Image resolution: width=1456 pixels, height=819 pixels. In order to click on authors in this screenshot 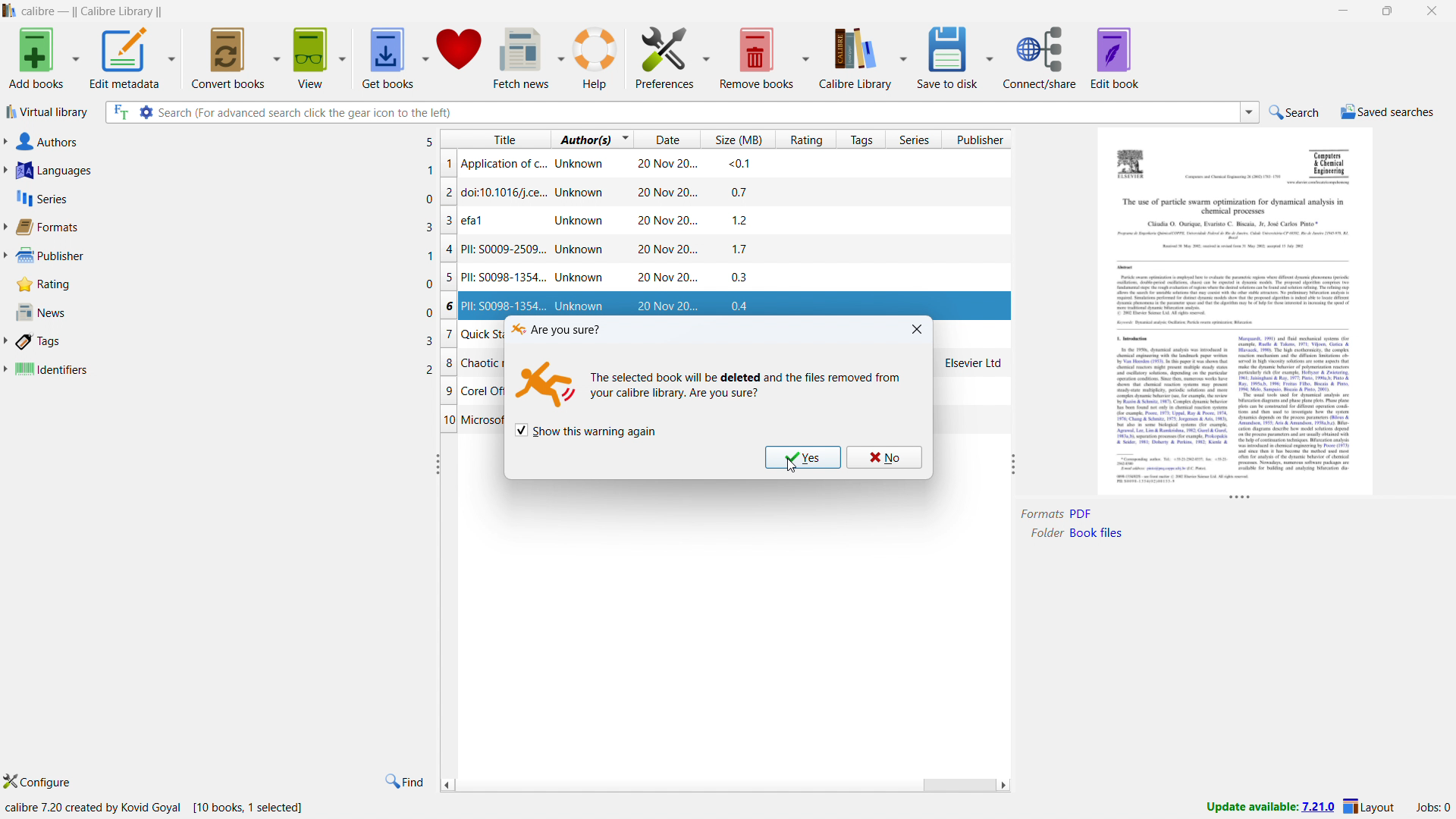, I will do `click(221, 141)`.